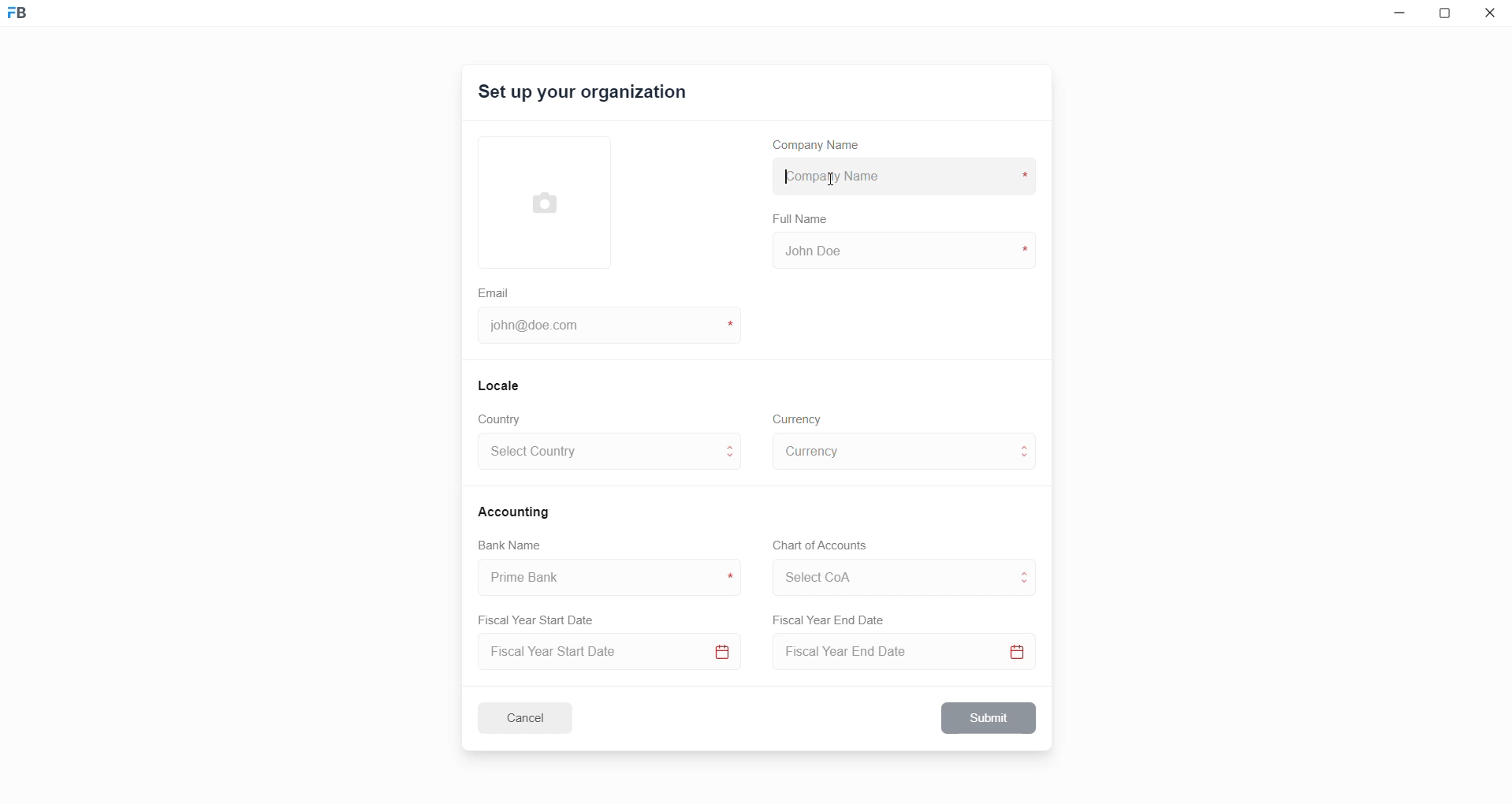 Image resolution: width=1512 pixels, height=804 pixels. What do you see at coordinates (829, 177) in the screenshot?
I see `cursor` at bounding box center [829, 177].